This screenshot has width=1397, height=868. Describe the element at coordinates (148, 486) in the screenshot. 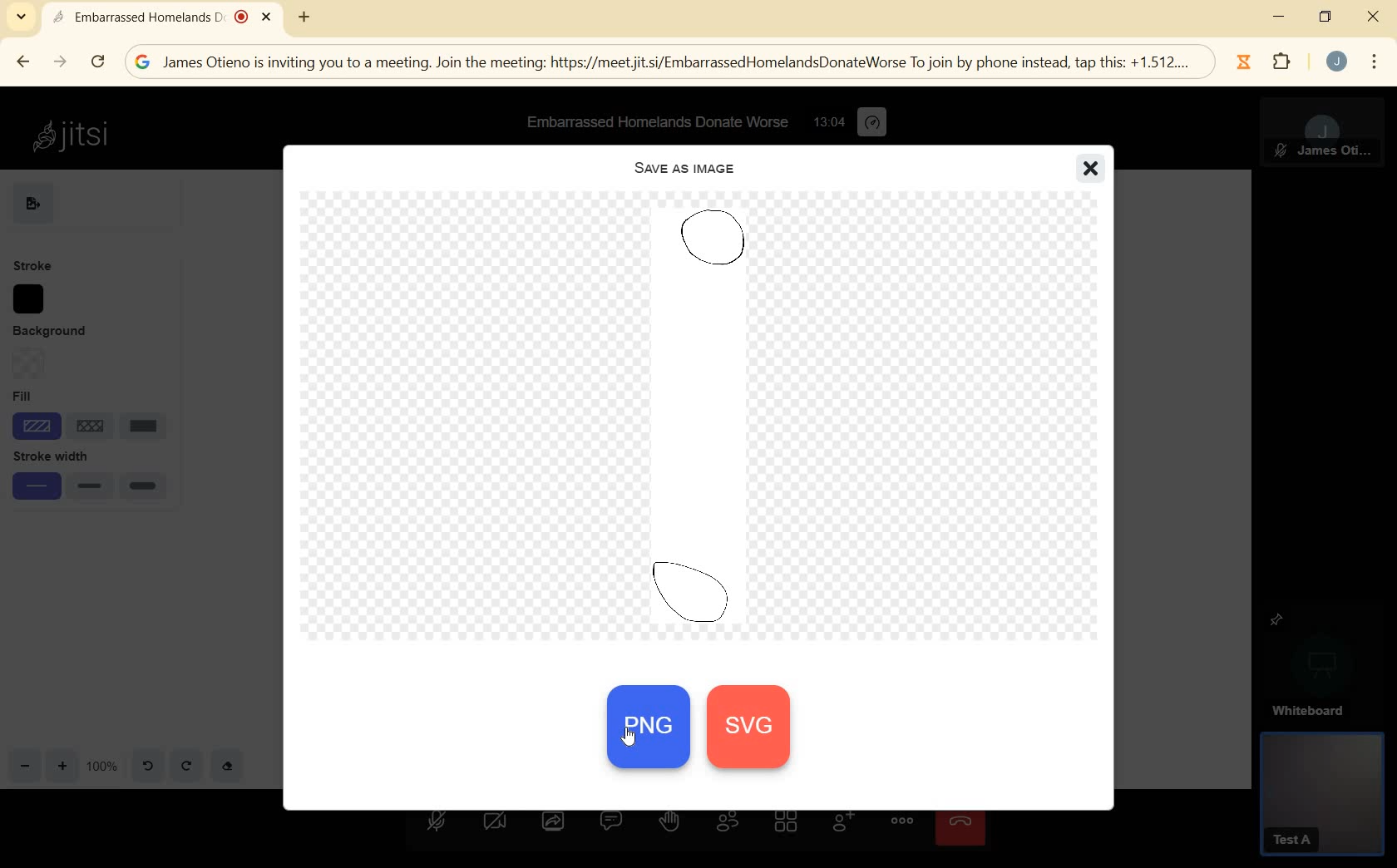

I see `large` at that location.